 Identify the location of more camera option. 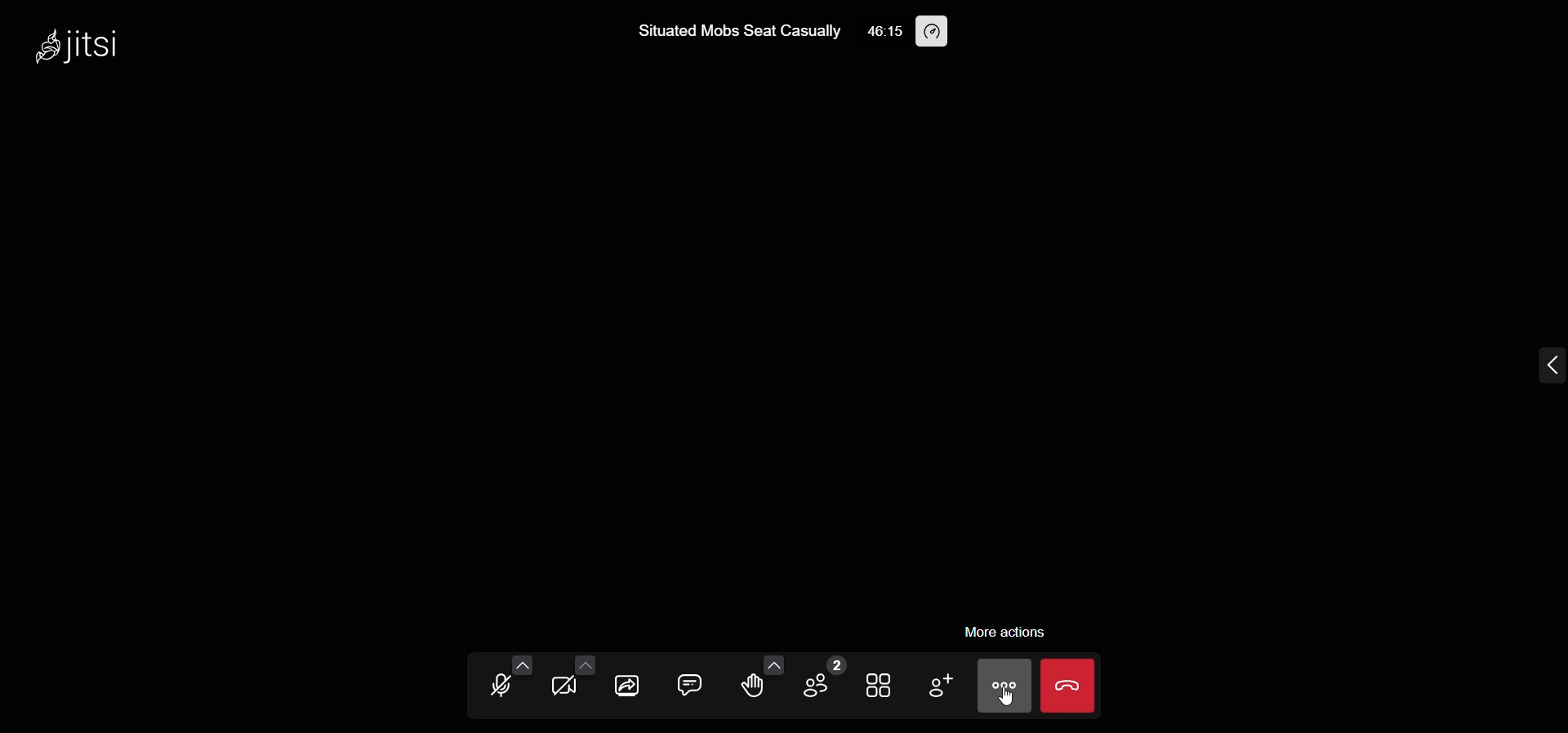
(584, 665).